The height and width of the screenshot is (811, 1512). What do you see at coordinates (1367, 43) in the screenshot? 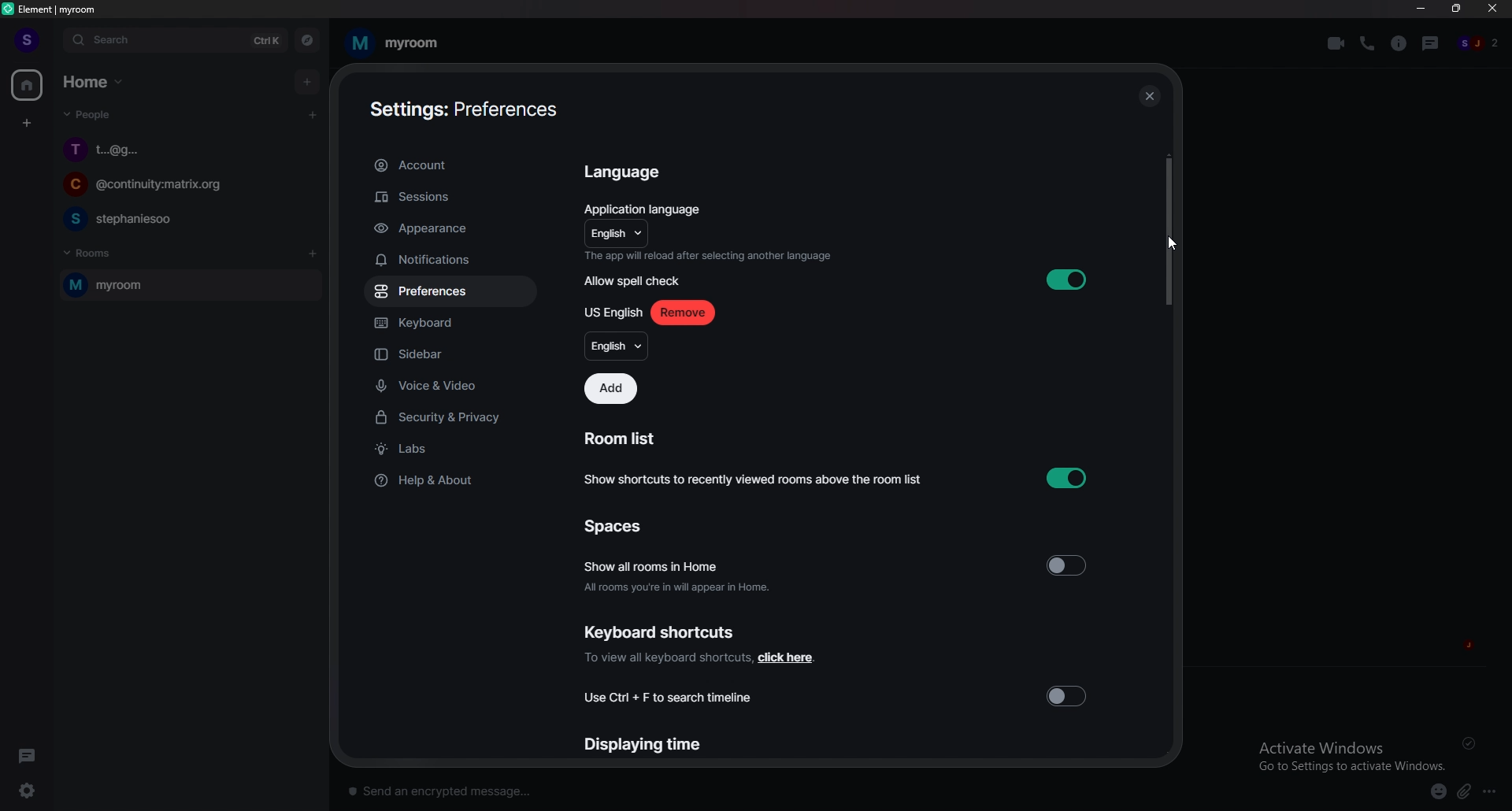
I see `voice call` at bounding box center [1367, 43].